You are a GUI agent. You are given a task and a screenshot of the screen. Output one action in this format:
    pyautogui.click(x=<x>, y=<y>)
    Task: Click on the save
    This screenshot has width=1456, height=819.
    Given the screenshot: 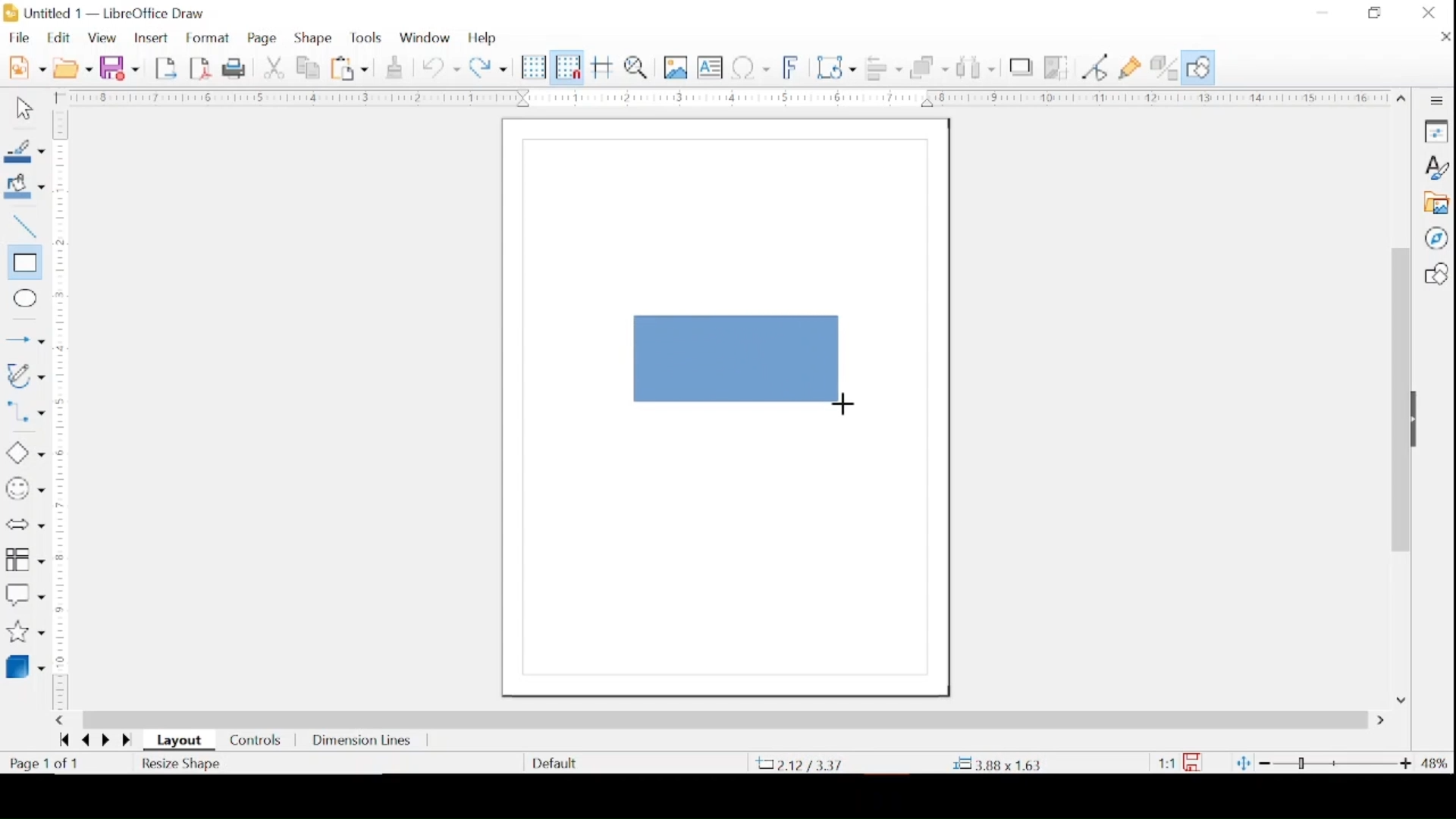 What is the action you would take?
    pyautogui.click(x=119, y=67)
    